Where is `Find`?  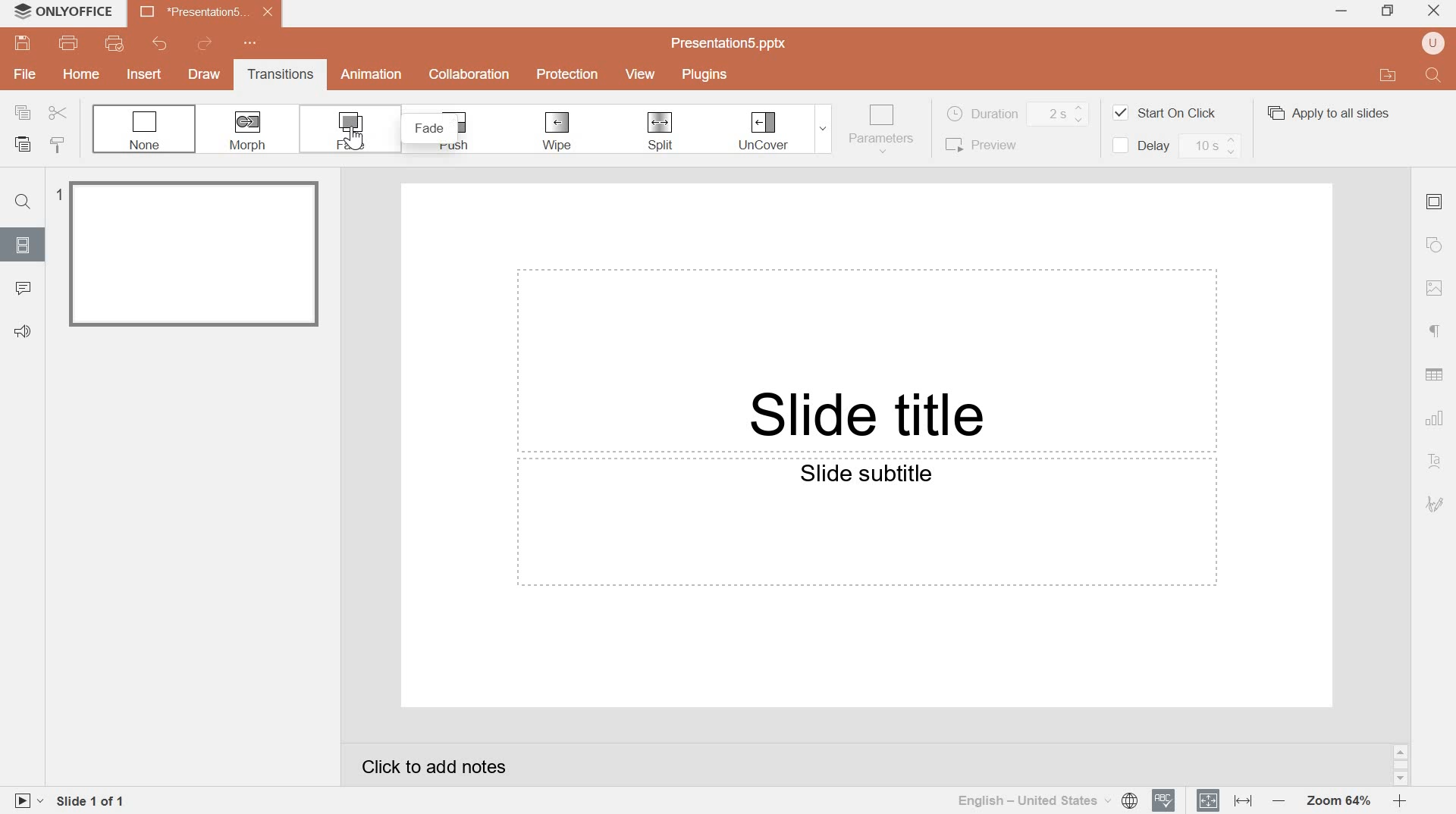 Find is located at coordinates (1435, 76).